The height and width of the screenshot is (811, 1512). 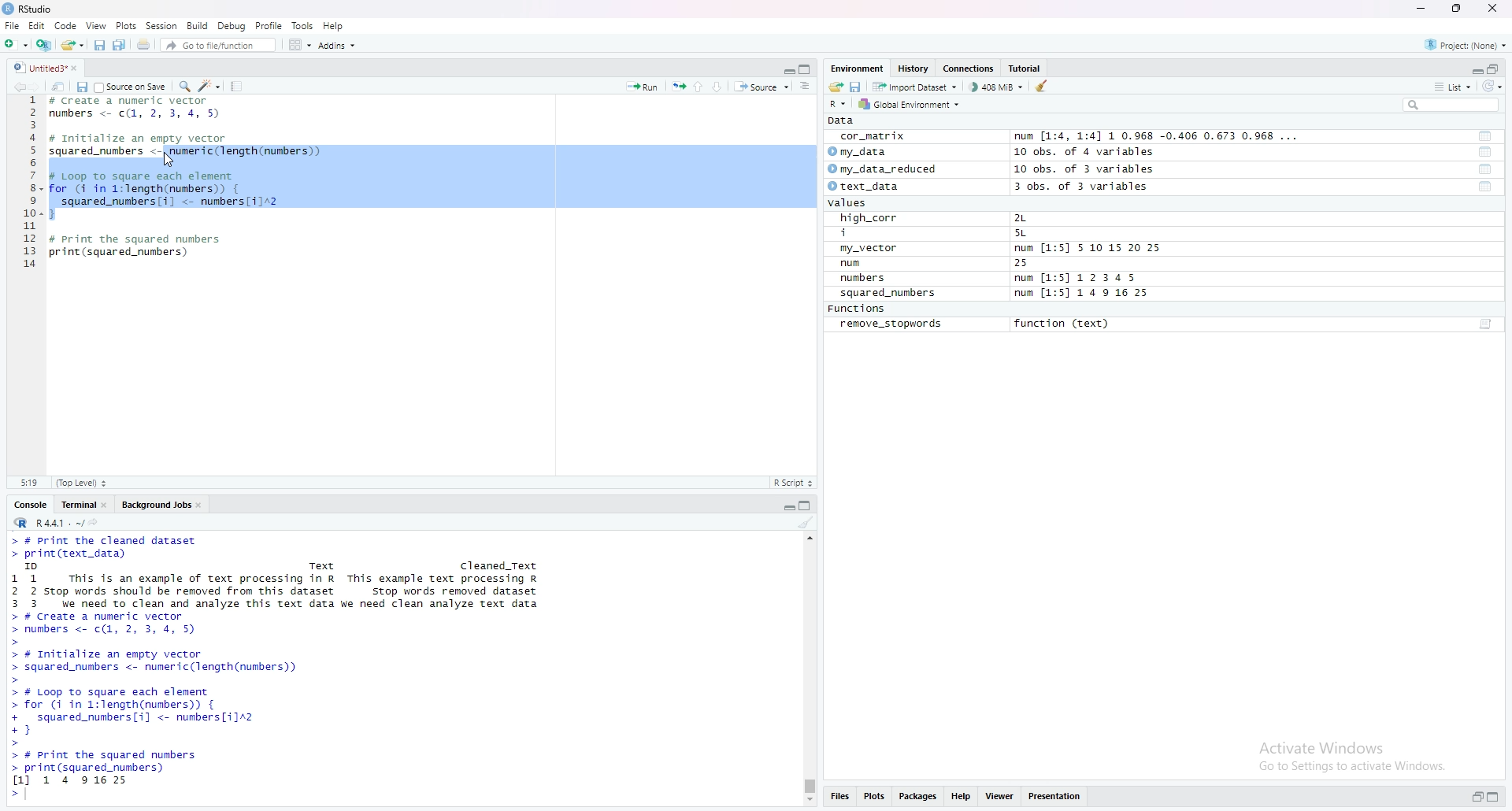 I want to click on num [1:5] S 10 15 20 25, so click(x=1088, y=249).